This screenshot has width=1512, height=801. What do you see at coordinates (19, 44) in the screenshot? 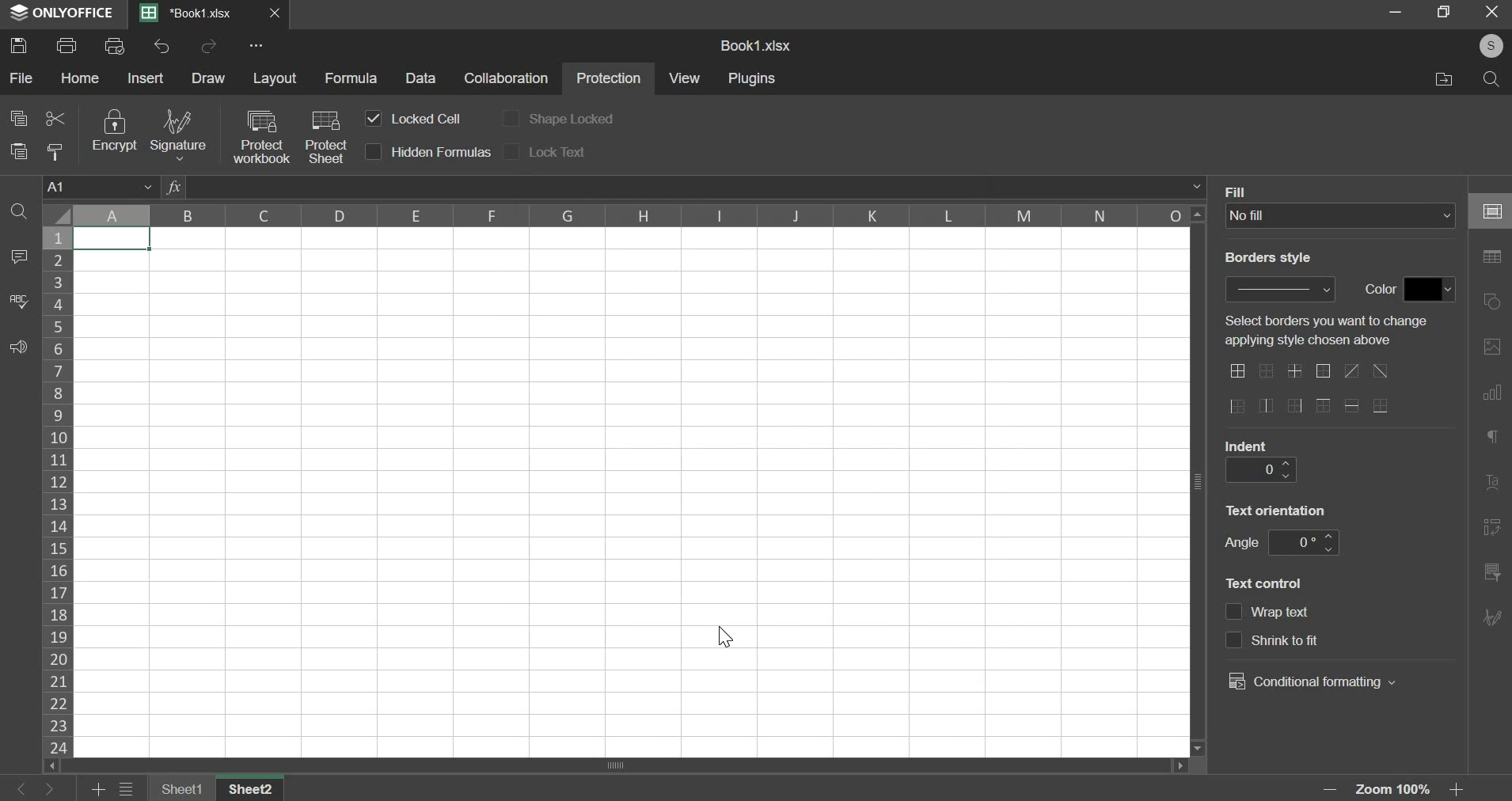
I see `save` at bounding box center [19, 44].